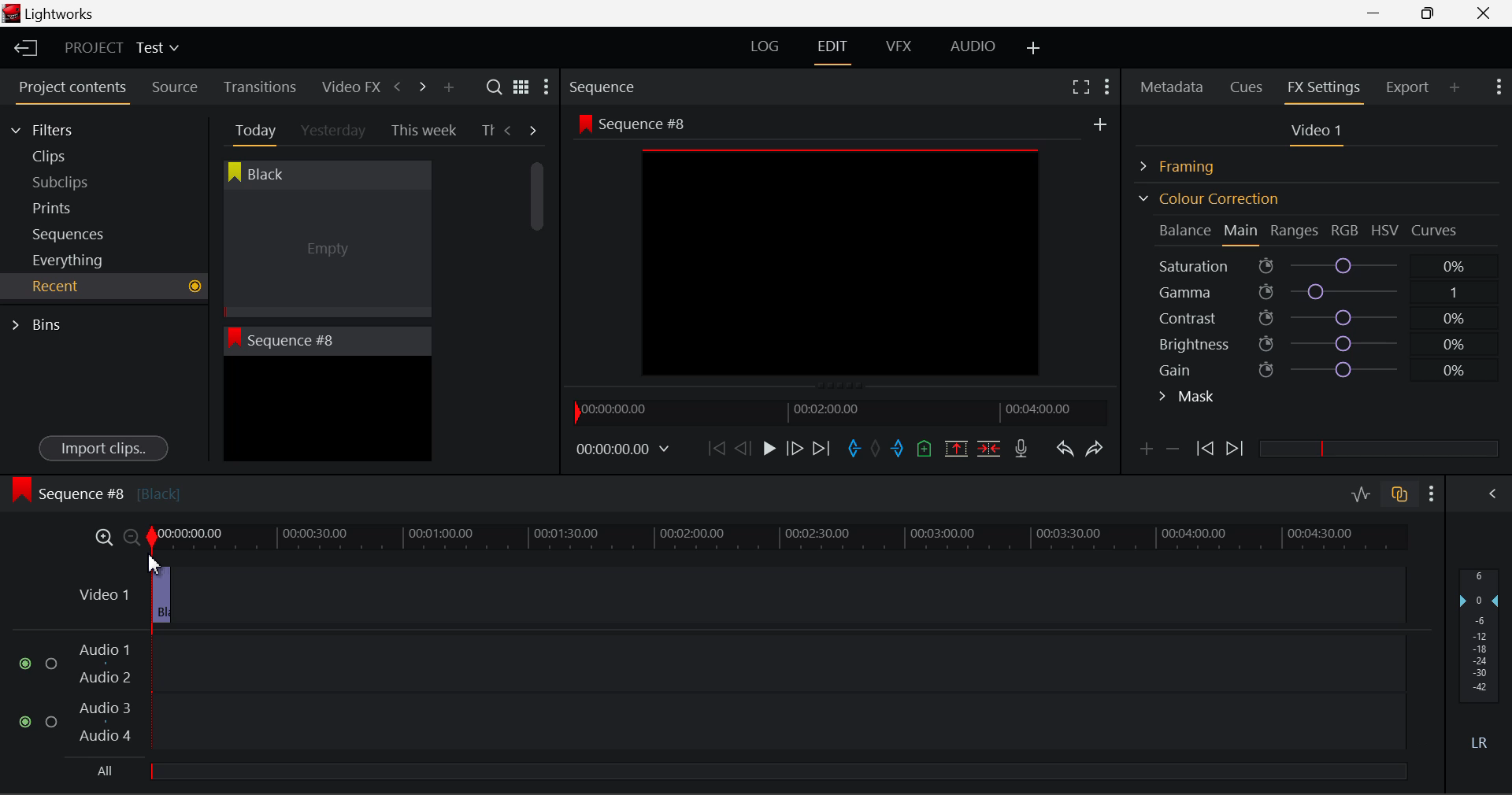 The height and width of the screenshot is (795, 1512). I want to click on Project contents, so click(72, 91).